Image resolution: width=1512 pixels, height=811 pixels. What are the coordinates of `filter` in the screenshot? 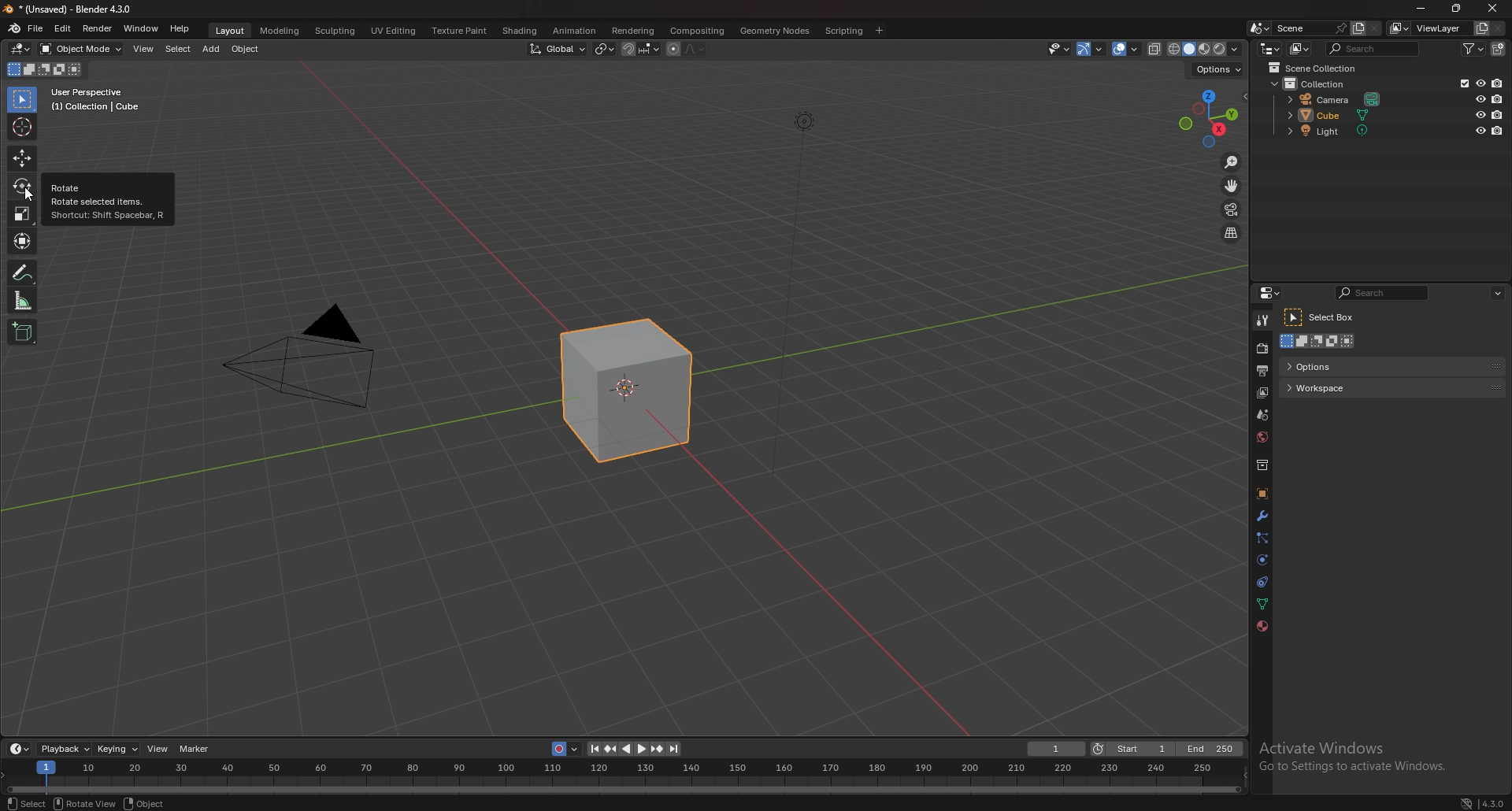 It's located at (1473, 48).